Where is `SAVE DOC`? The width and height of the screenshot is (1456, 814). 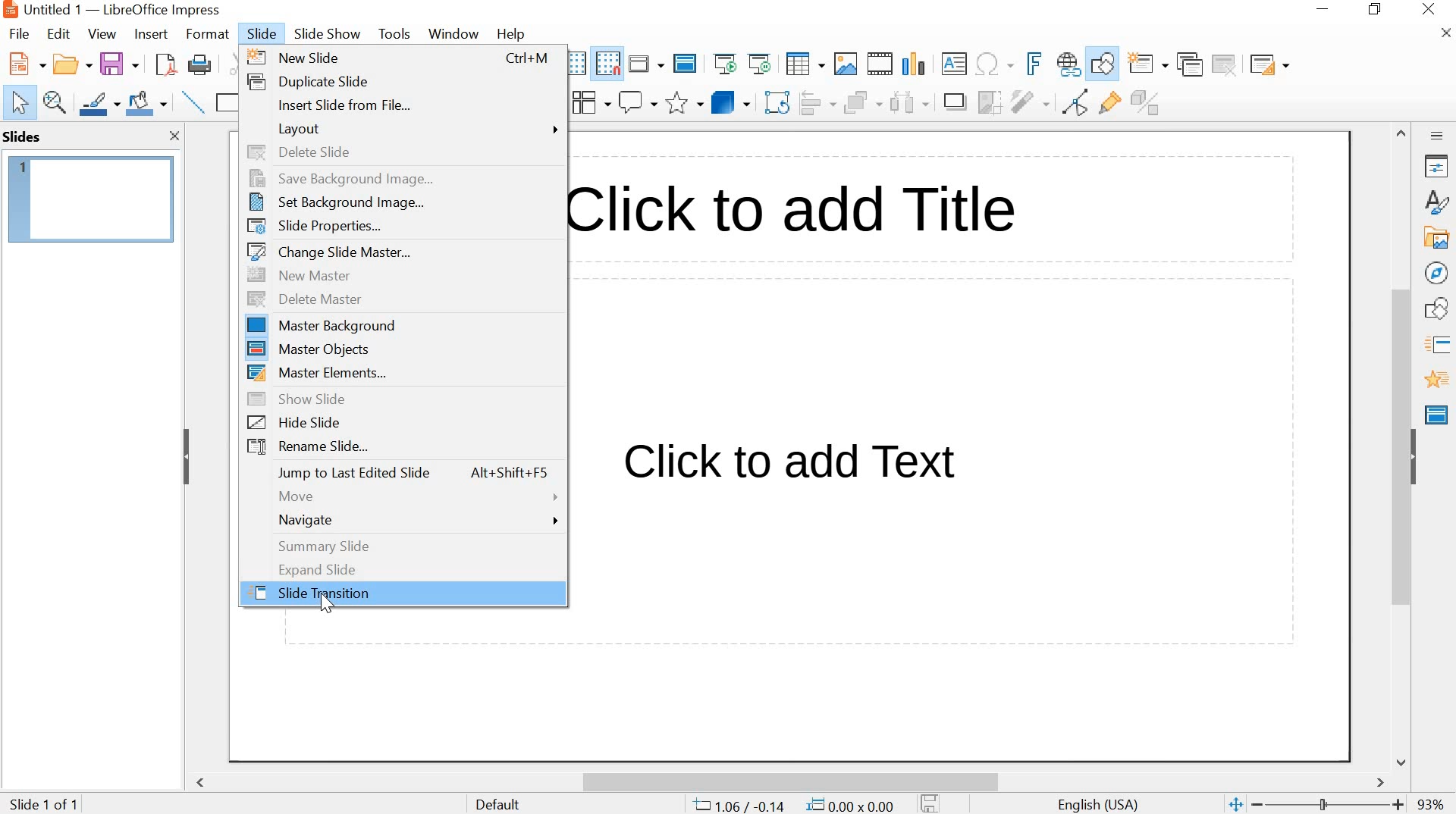 SAVE DOC is located at coordinates (932, 803).